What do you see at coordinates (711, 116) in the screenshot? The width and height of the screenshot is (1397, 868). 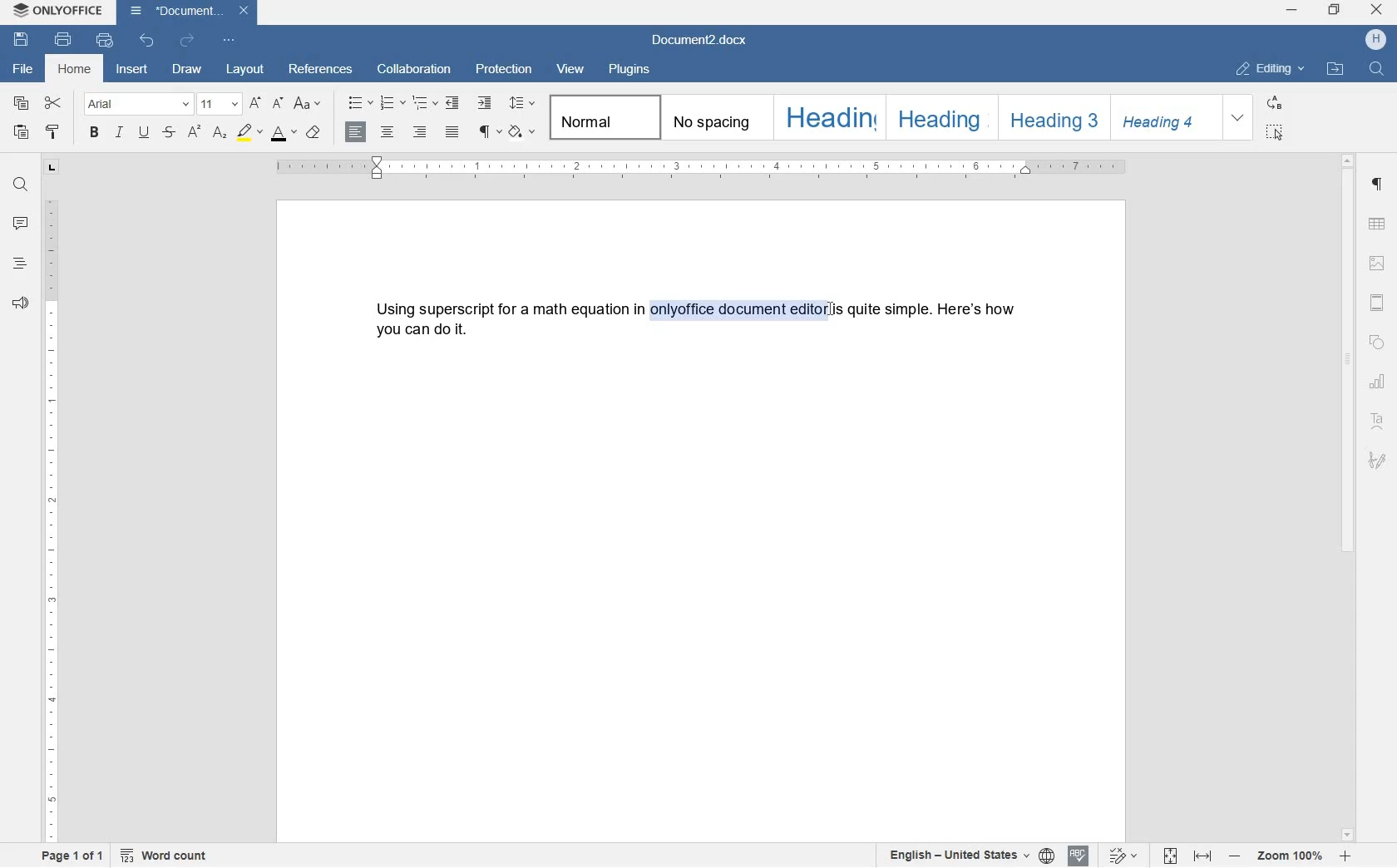 I see `No spacing` at bounding box center [711, 116].